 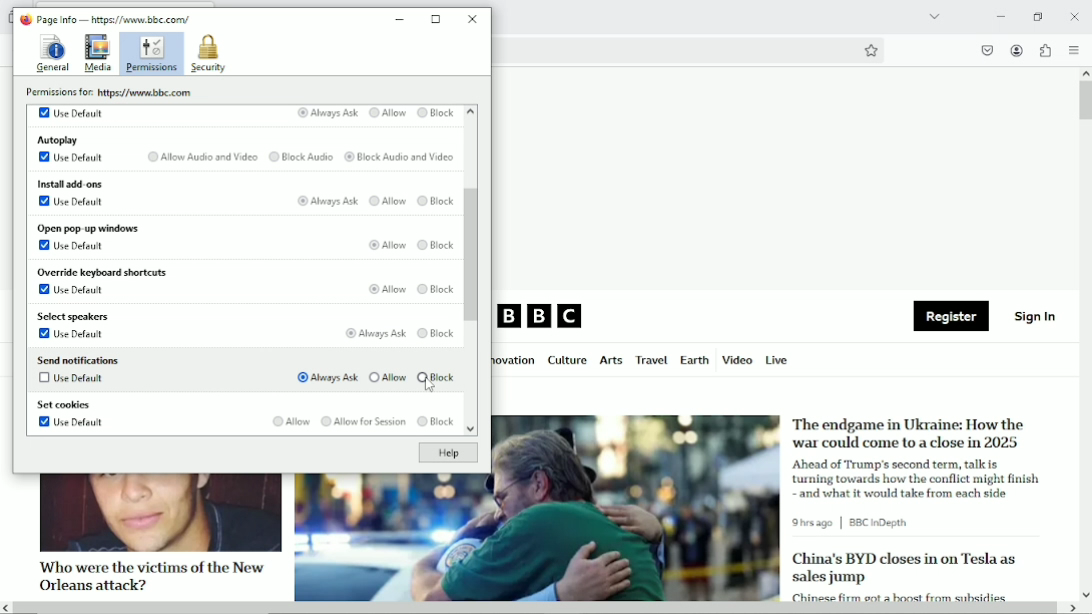 I want to click on Allow, so click(x=389, y=288).